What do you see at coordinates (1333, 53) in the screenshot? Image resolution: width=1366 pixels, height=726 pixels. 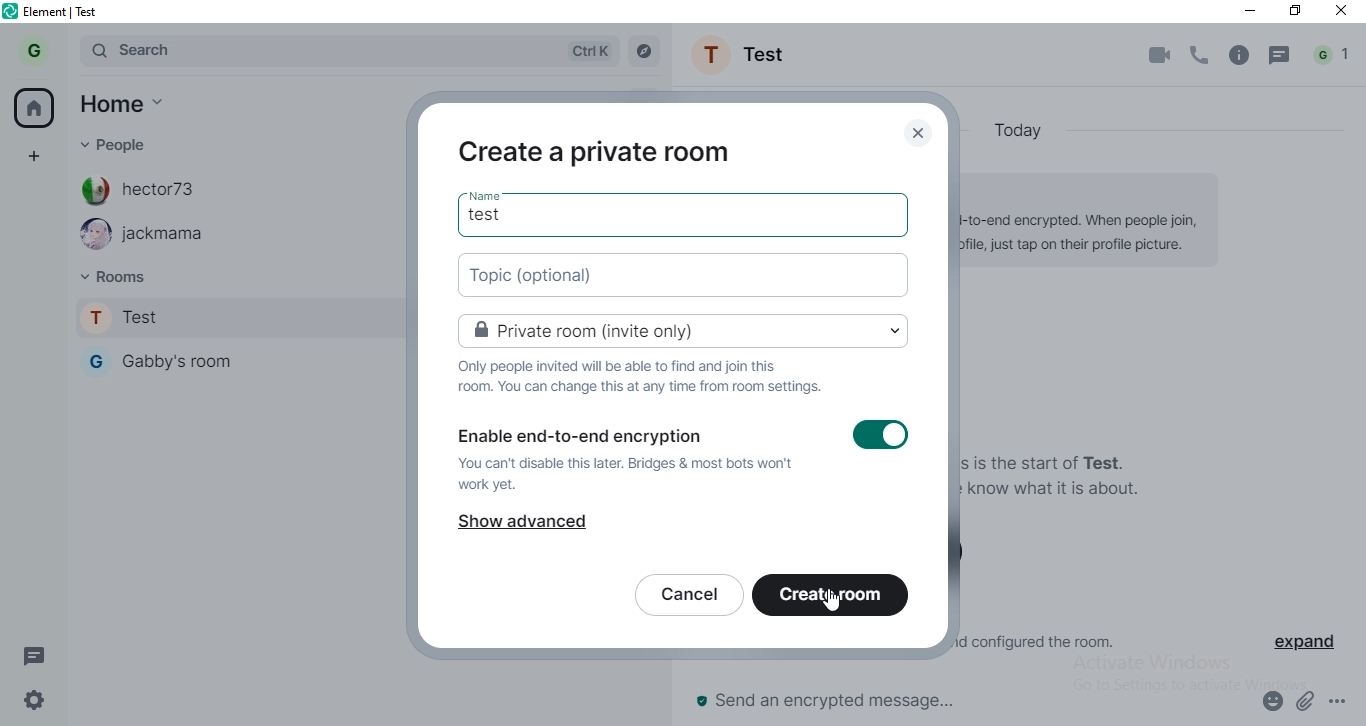 I see `notification` at bounding box center [1333, 53].